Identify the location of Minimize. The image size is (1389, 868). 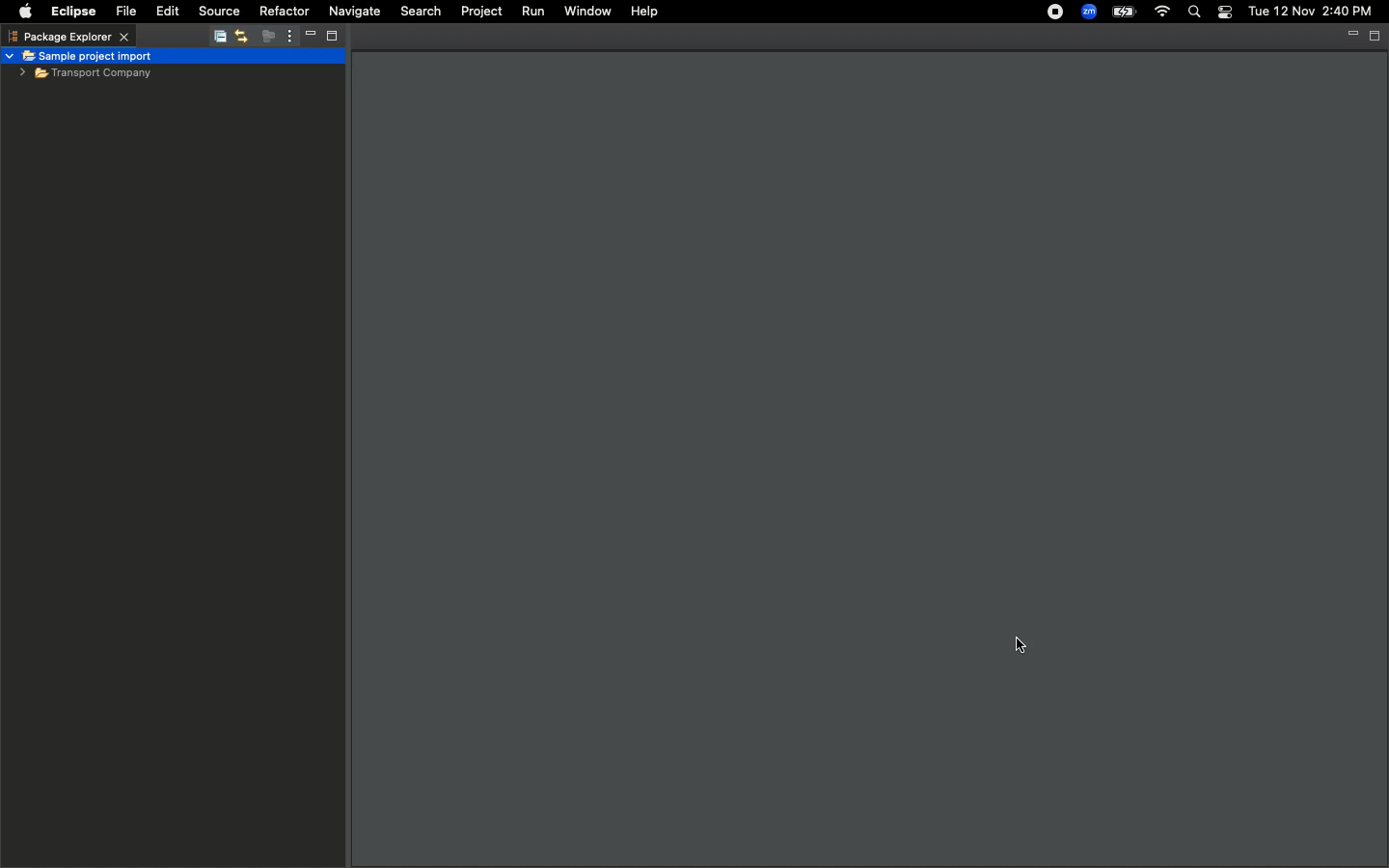
(305, 38).